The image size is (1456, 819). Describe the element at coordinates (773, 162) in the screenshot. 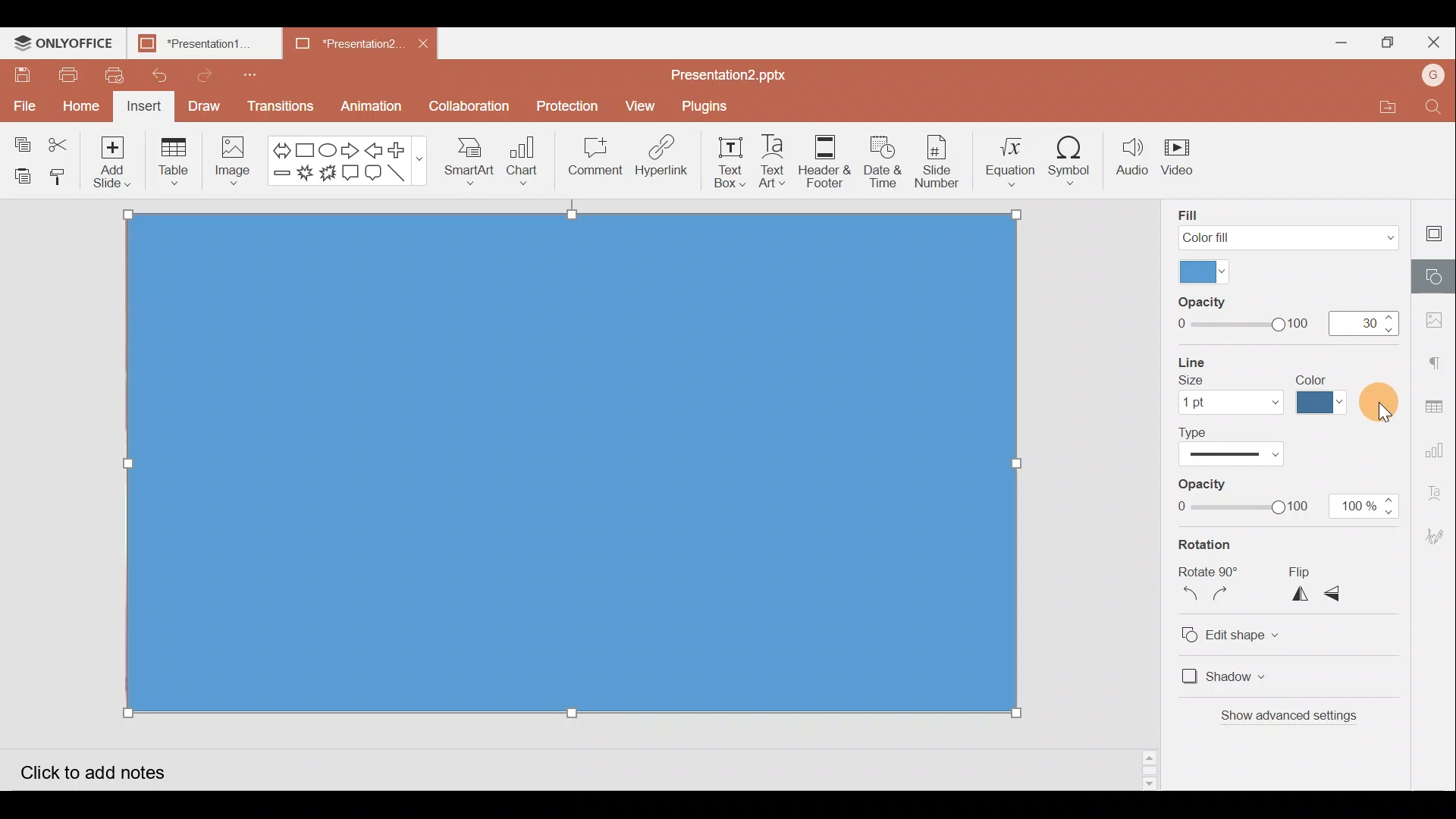

I see `Text Art` at that location.